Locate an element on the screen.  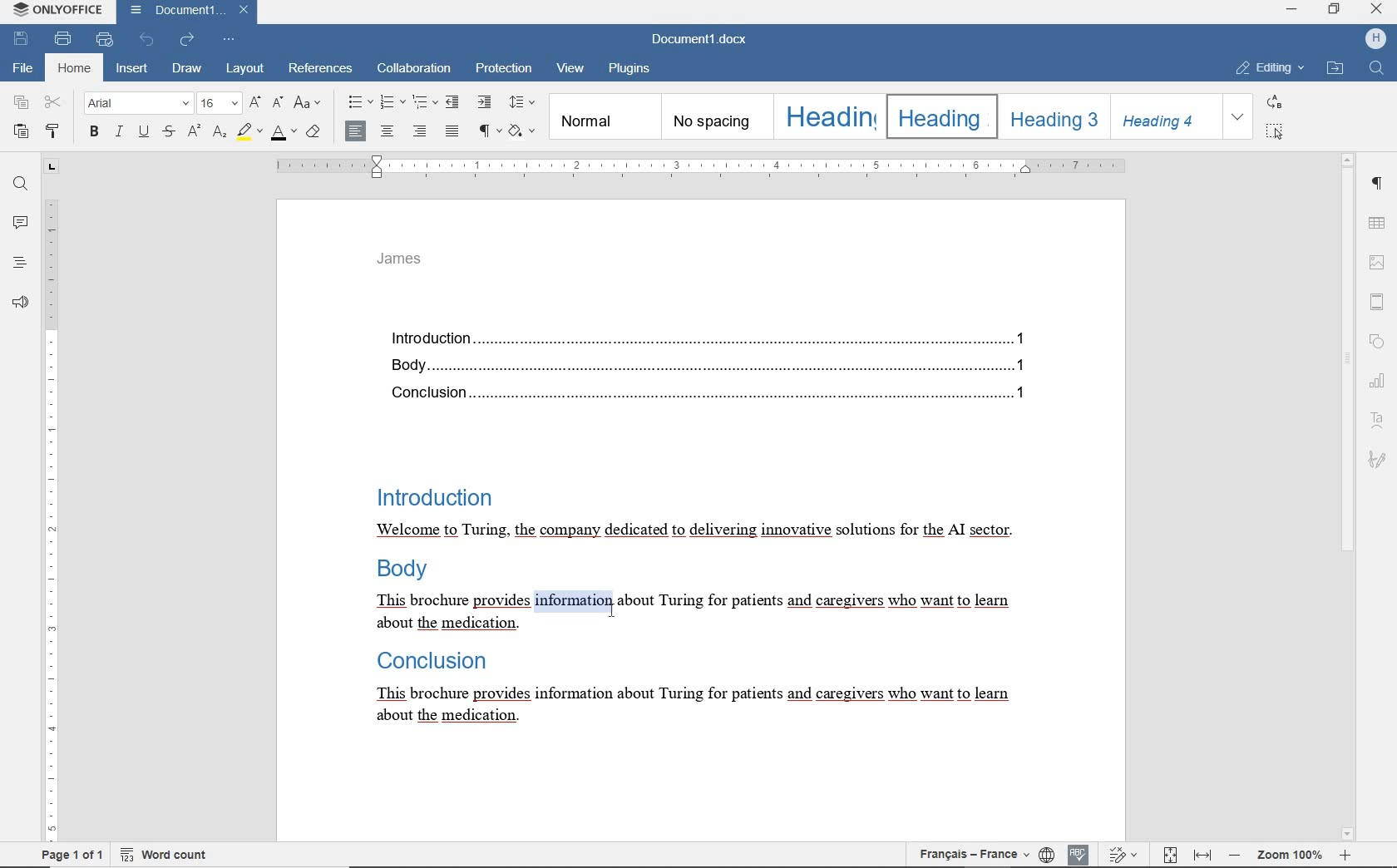
SDECREASE INDENT is located at coordinates (425, 104).